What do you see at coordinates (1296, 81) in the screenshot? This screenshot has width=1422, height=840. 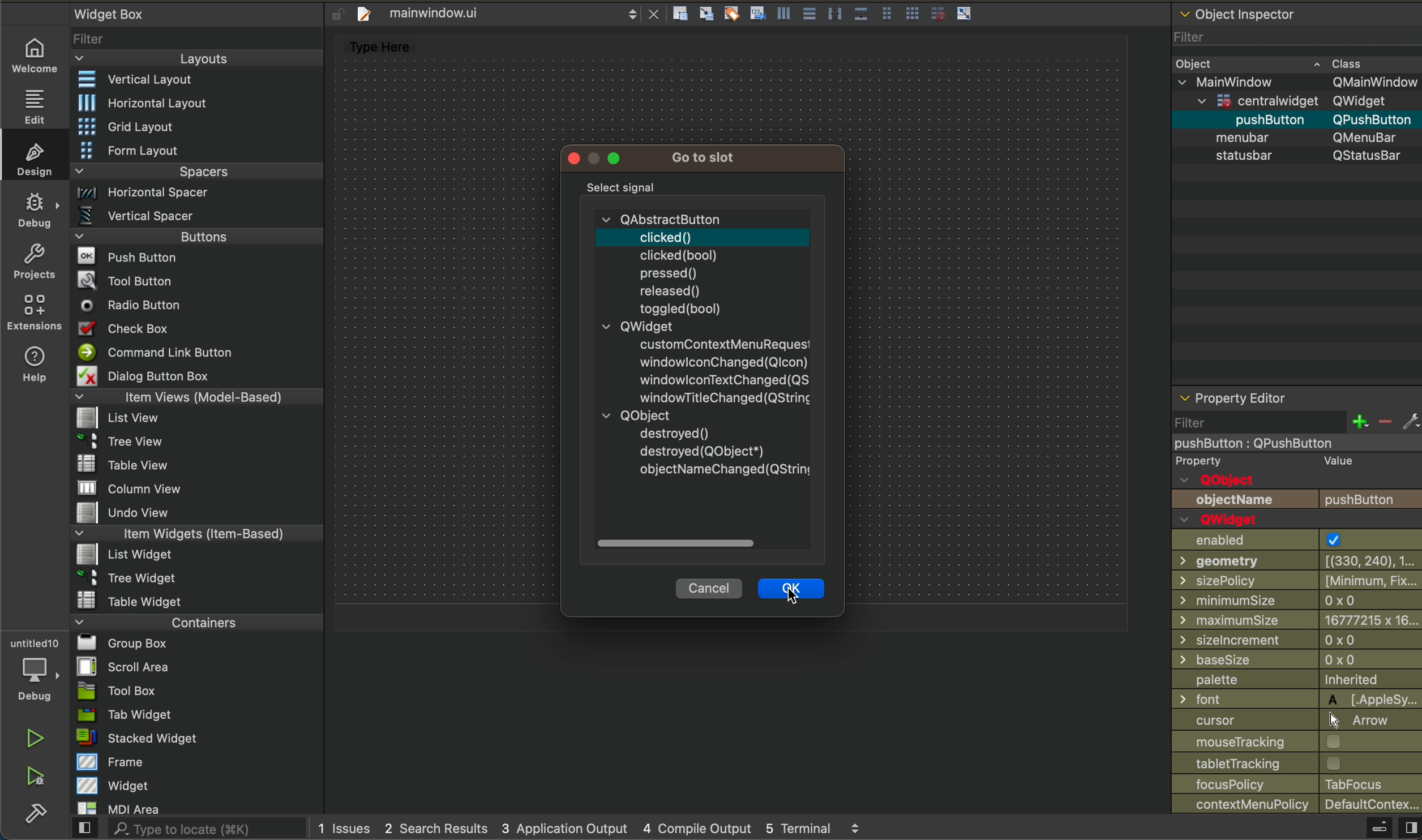 I see `mainWindow` at bounding box center [1296, 81].